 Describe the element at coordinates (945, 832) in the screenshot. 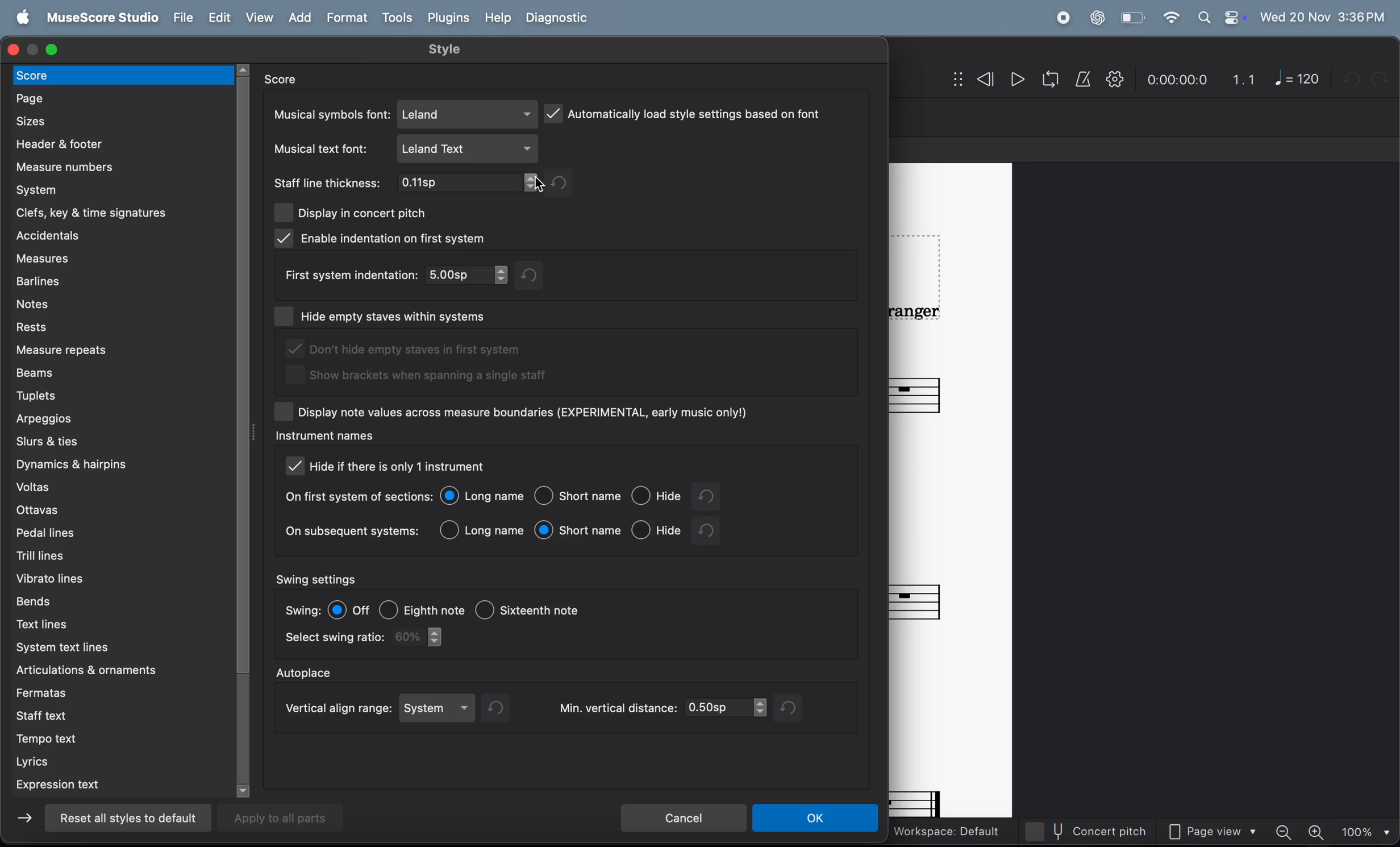

I see `workspace default` at that location.